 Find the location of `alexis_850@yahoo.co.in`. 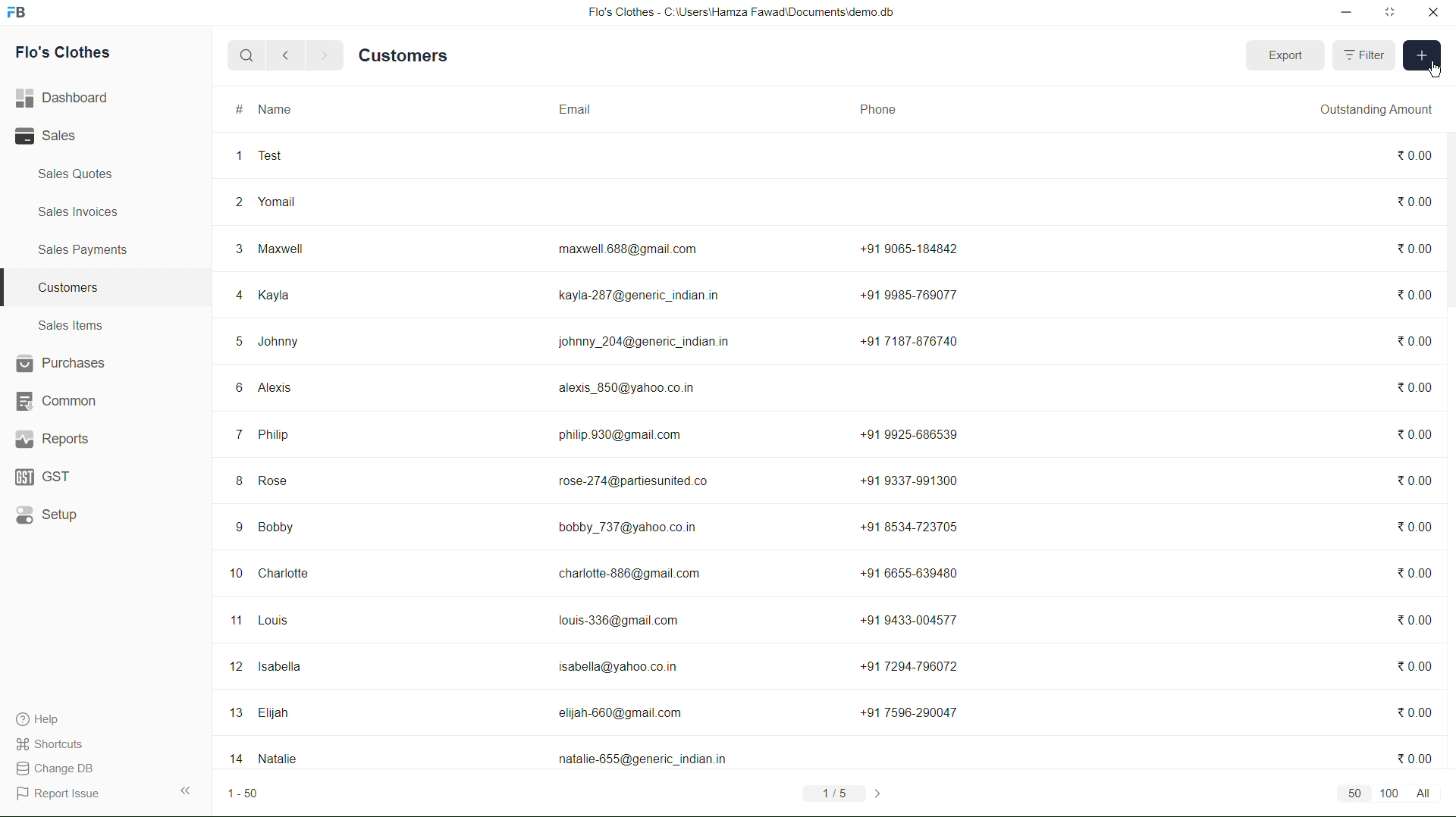

alexis_850@yahoo.co.in is located at coordinates (629, 390).